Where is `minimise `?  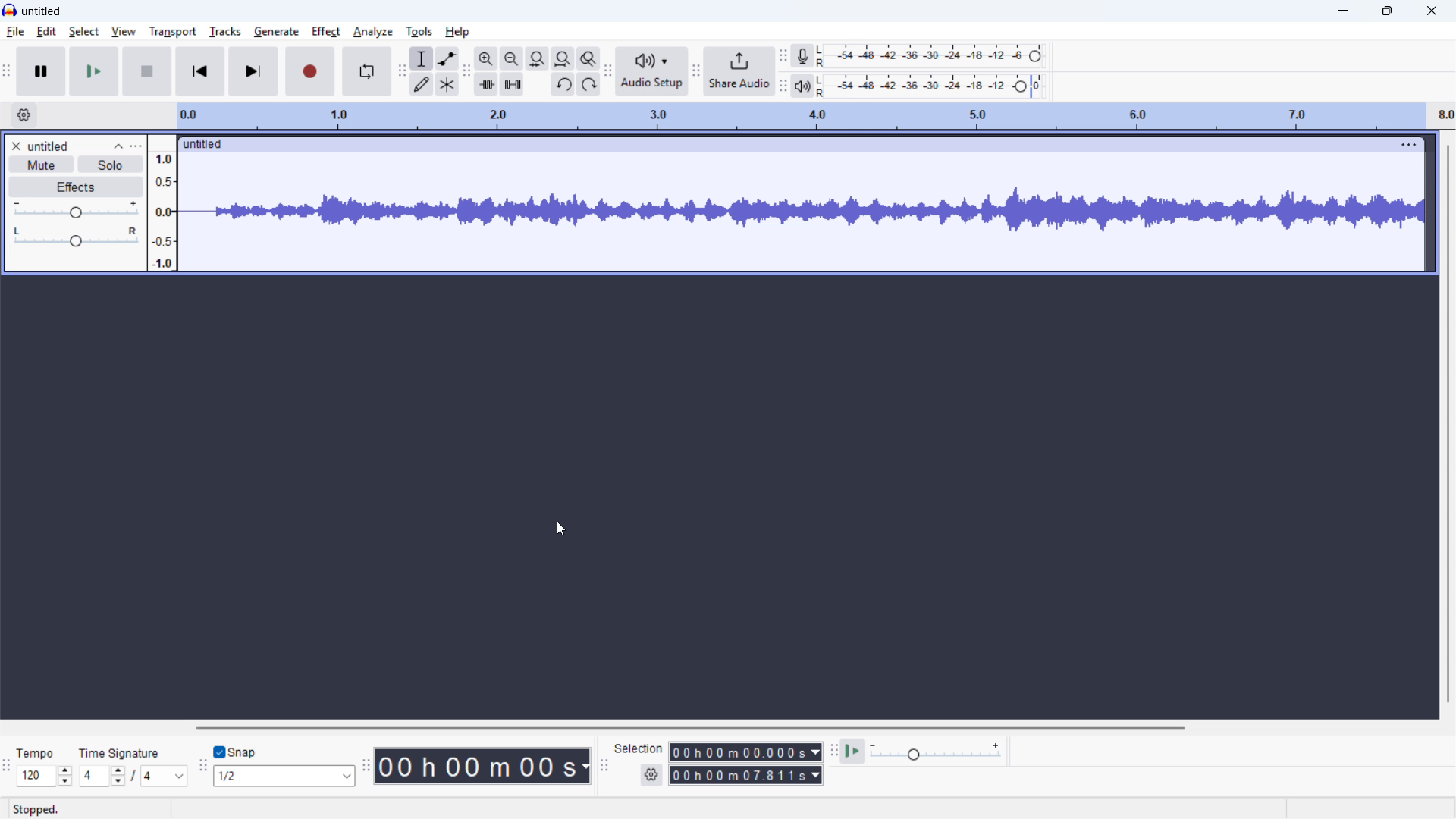 minimise  is located at coordinates (1341, 11).